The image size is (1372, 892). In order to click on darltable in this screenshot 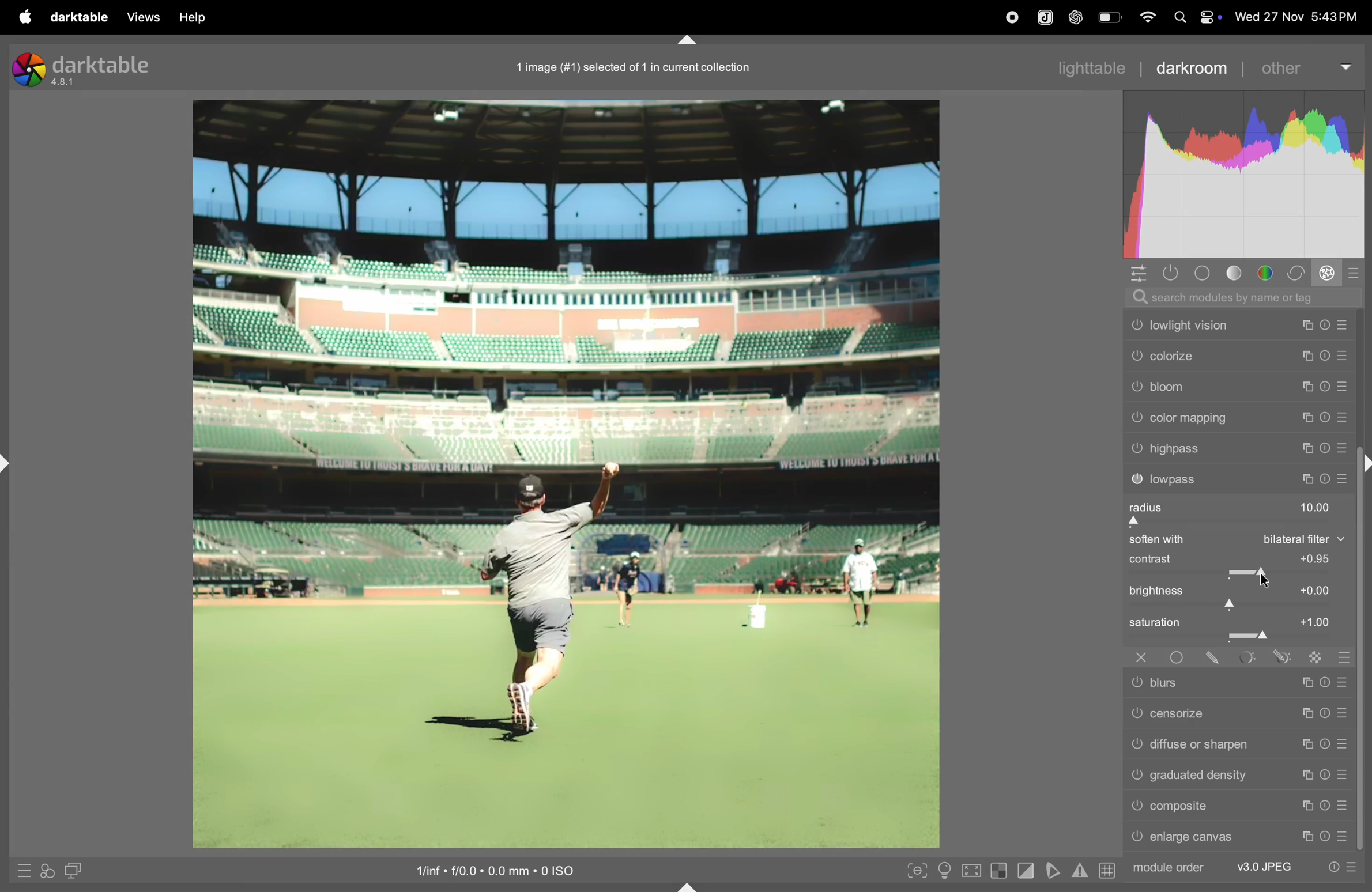, I will do `click(77, 18)`.